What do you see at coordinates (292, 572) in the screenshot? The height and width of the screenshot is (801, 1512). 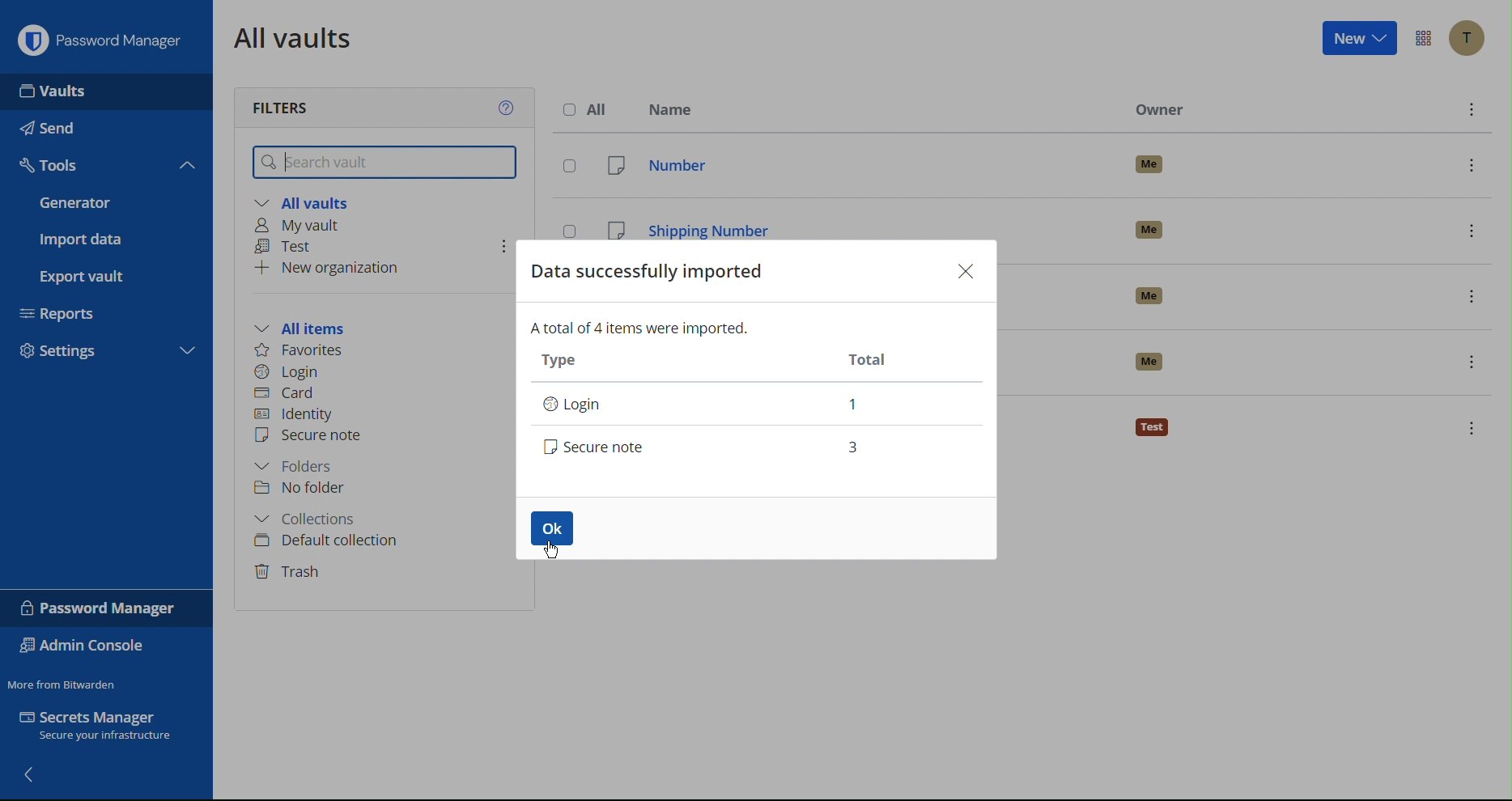 I see `Trash` at bounding box center [292, 572].